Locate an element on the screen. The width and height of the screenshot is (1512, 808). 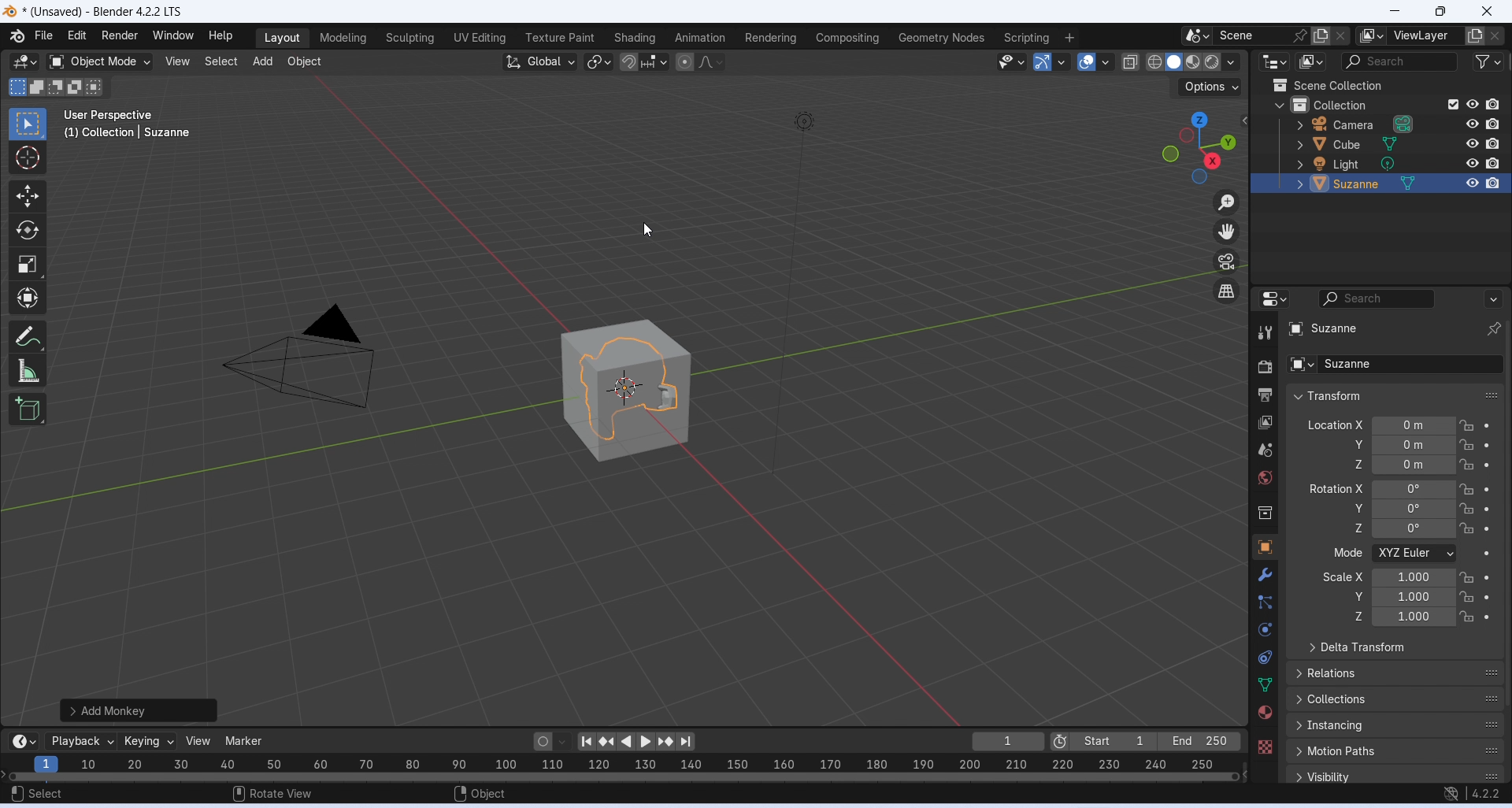
view is located at coordinates (201, 740).